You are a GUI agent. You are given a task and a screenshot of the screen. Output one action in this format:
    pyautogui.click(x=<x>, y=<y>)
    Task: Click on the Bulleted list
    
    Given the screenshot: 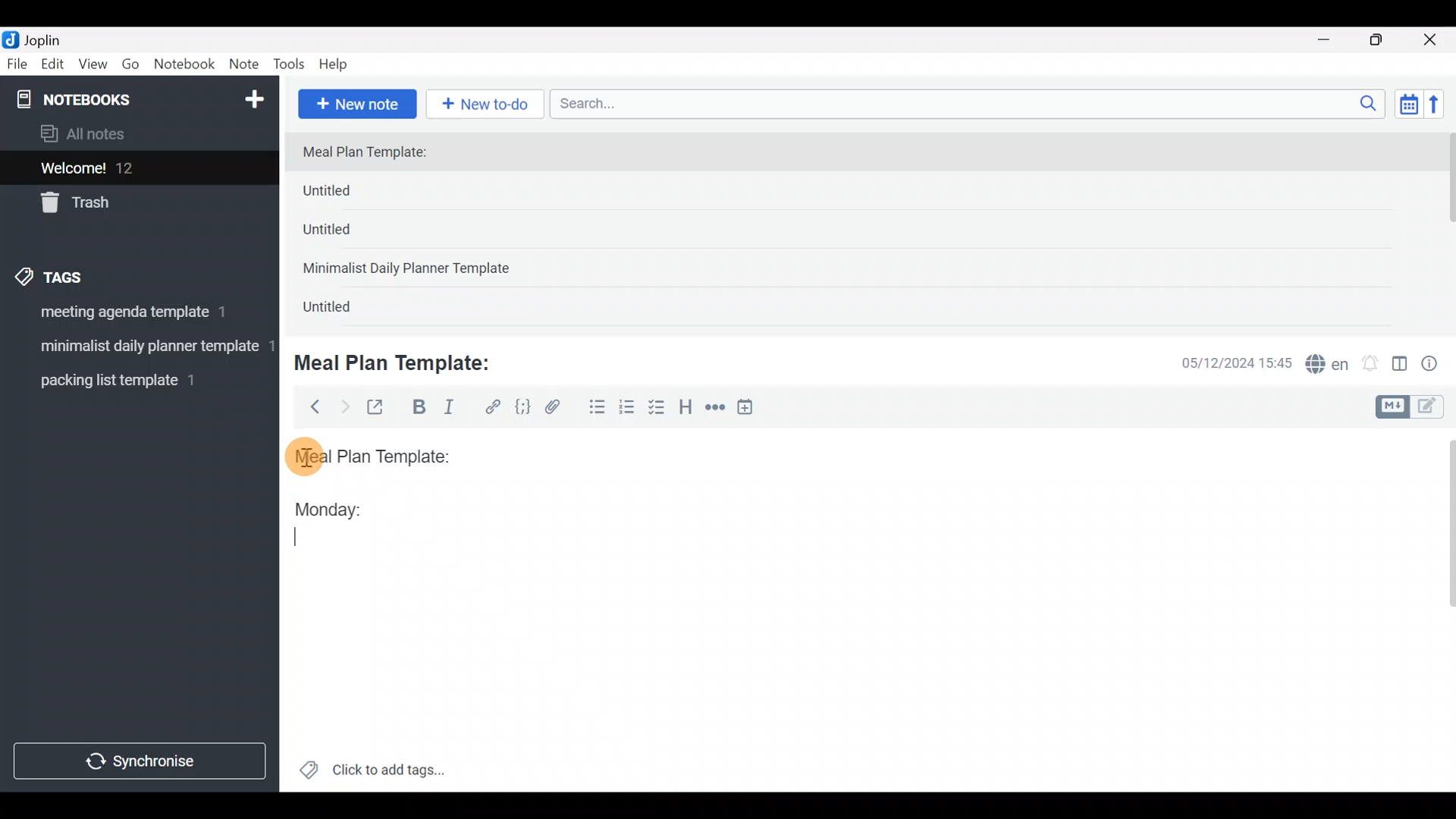 What is the action you would take?
    pyautogui.click(x=594, y=408)
    